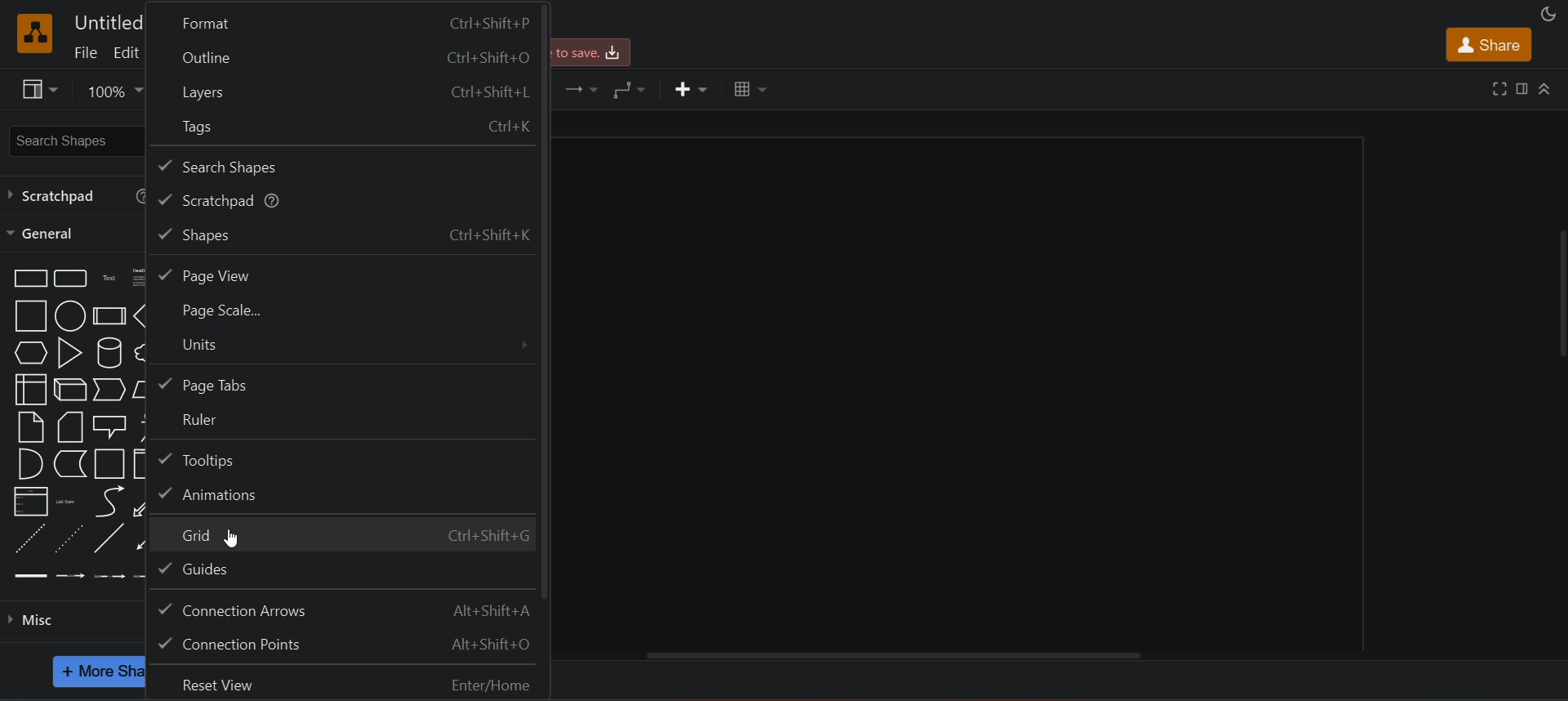 This screenshot has height=701, width=1568. Describe the element at coordinates (349, 535) in the screenshot. I see `grid` at that location.